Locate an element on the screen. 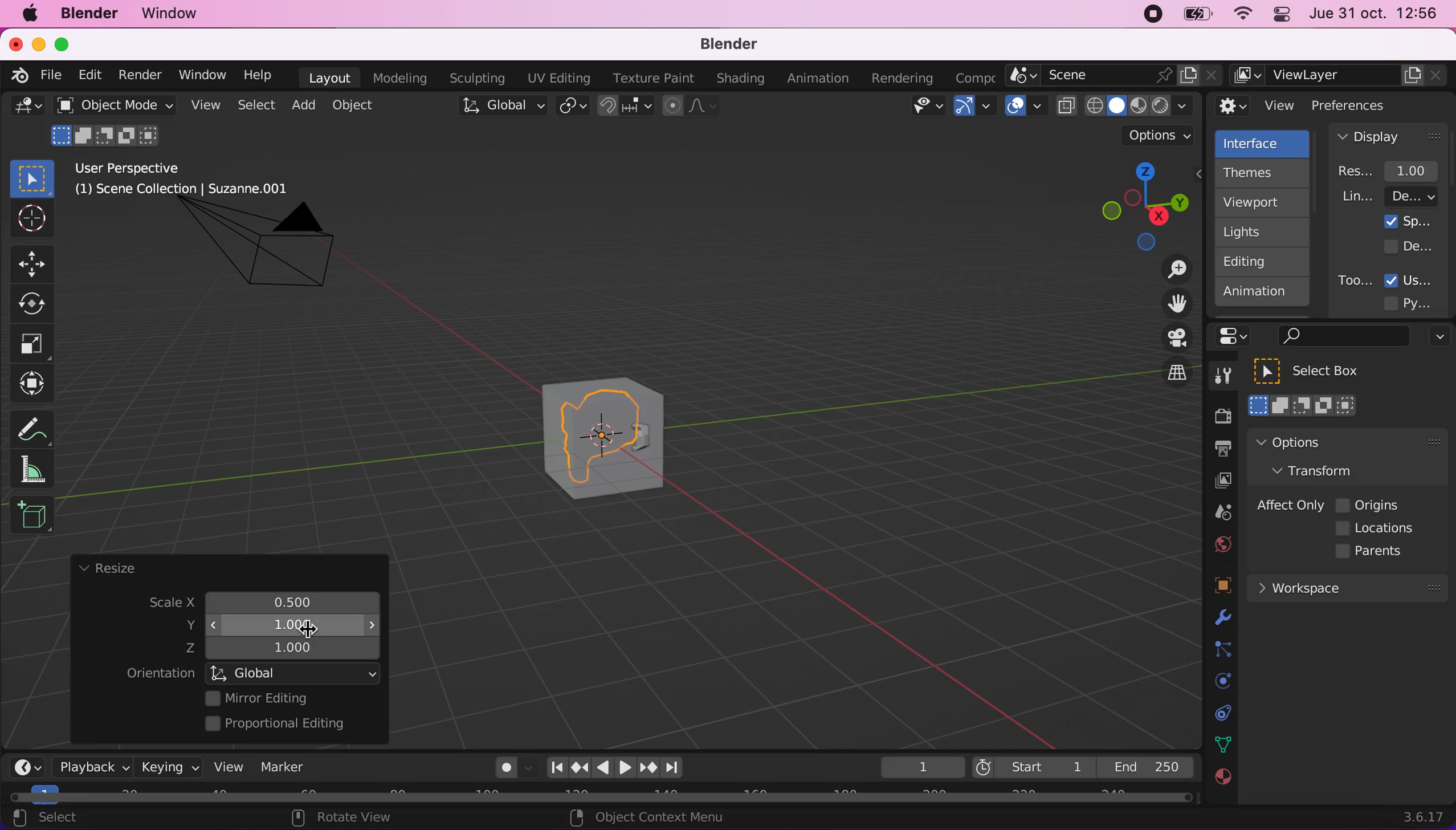 The image size is (1456, 830). interface is located at coordinates (1264, 142).